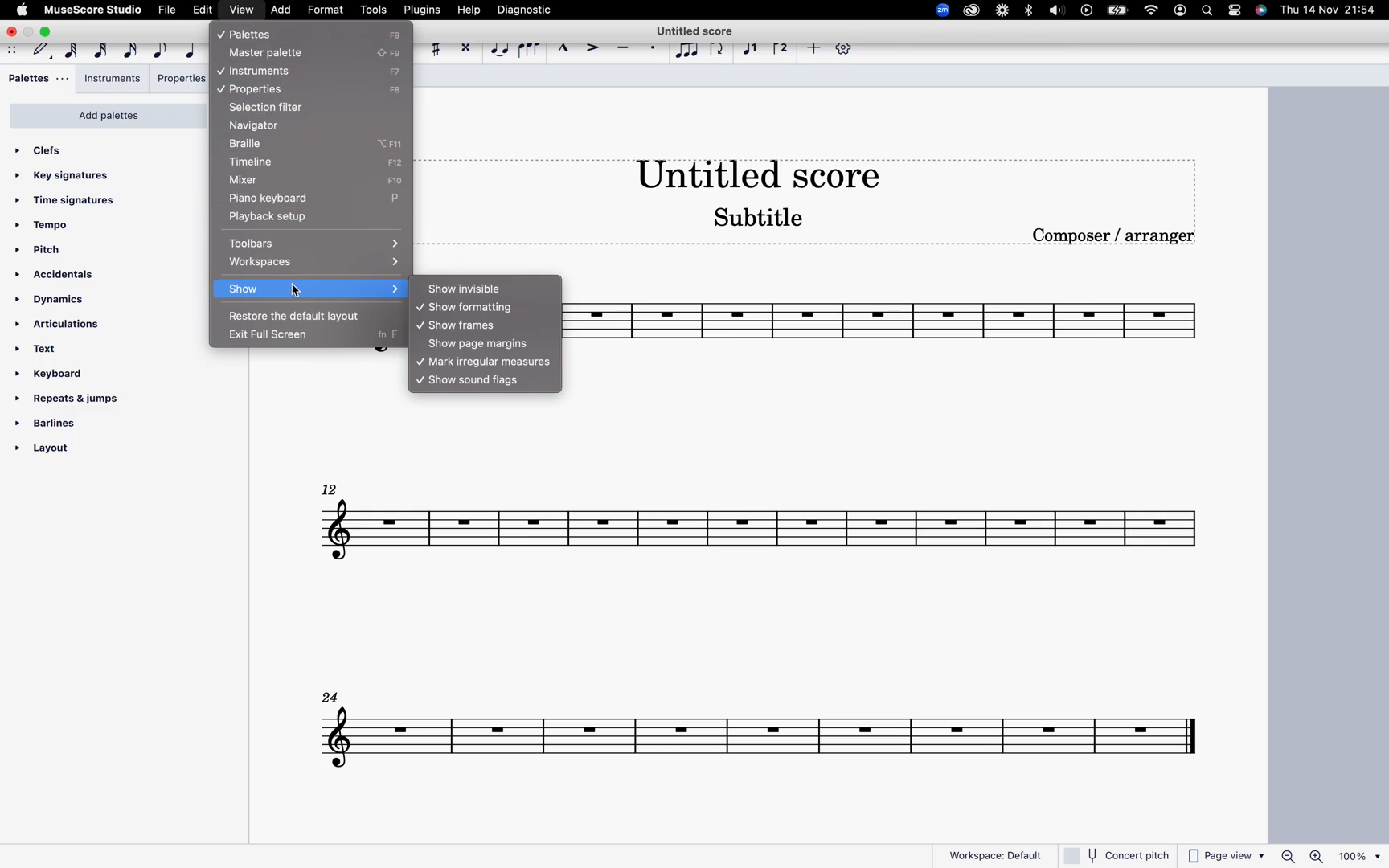  What do you see at coordinates (969, 13) in the screenshot?
I see `creative cloud` at bounding box center [969, 13].